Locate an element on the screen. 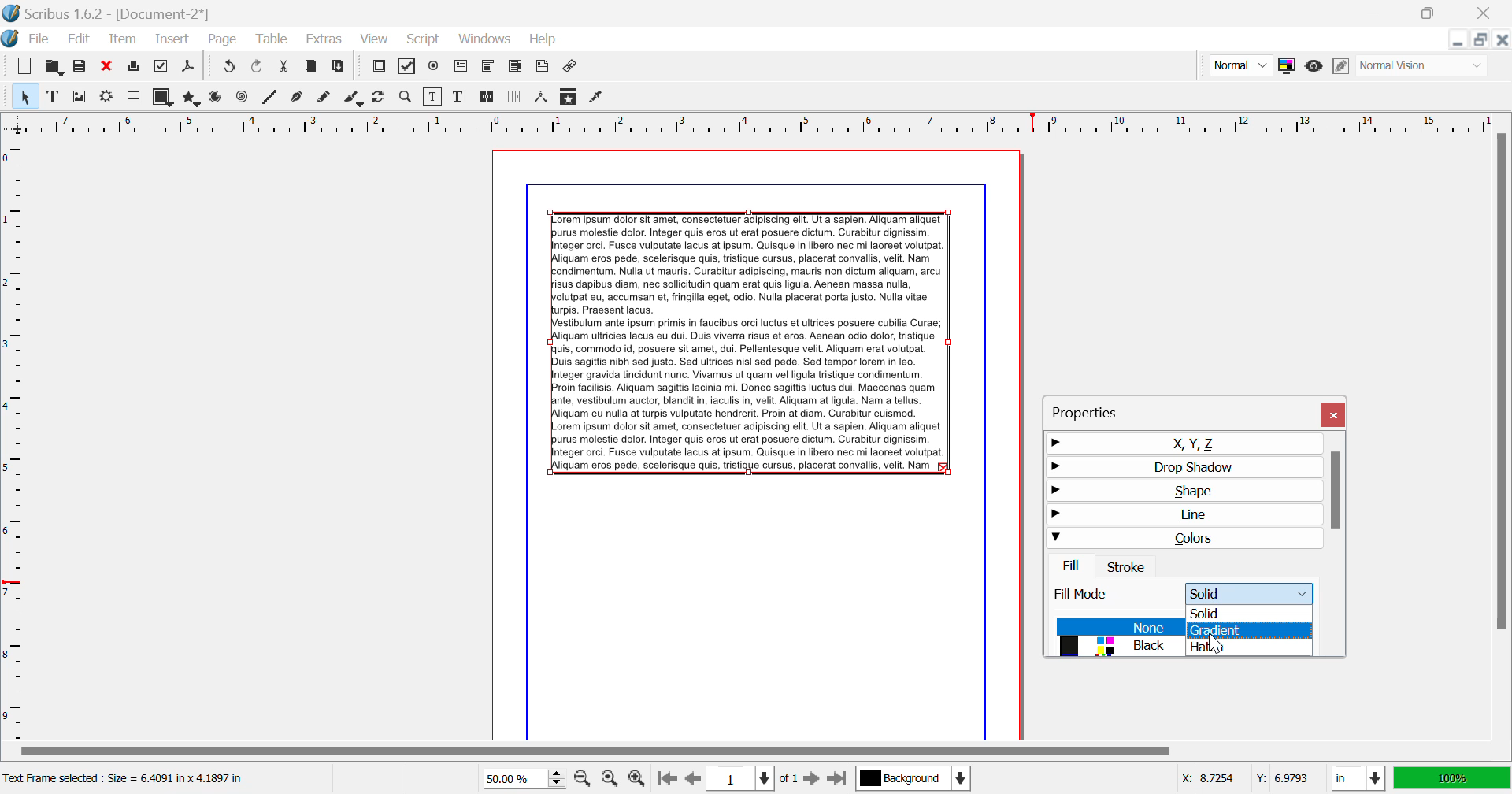 The height and width of the screenshot is (794, 1512). Open is located at coordinates (54, 65).